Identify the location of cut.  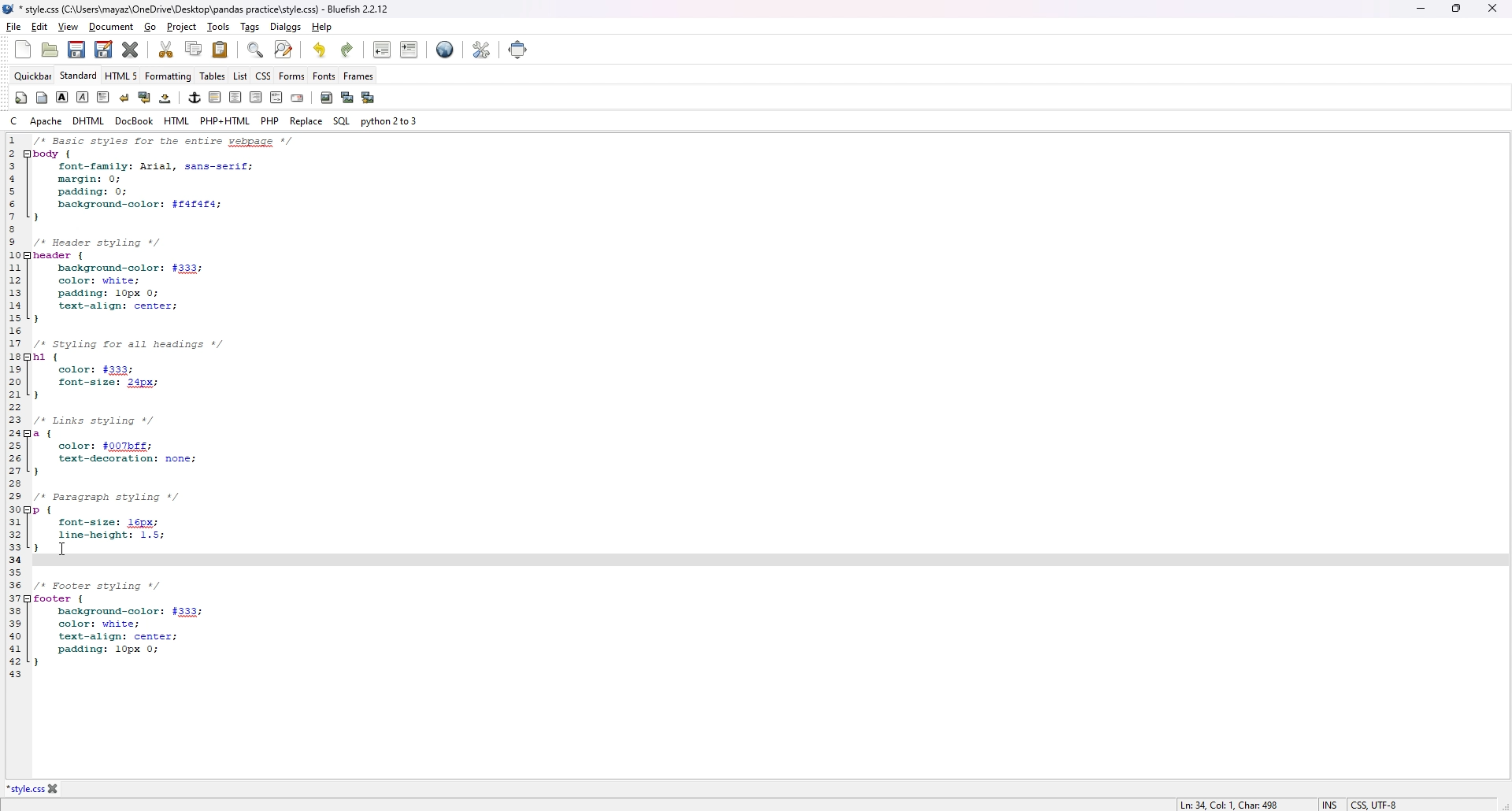
(166, 48).